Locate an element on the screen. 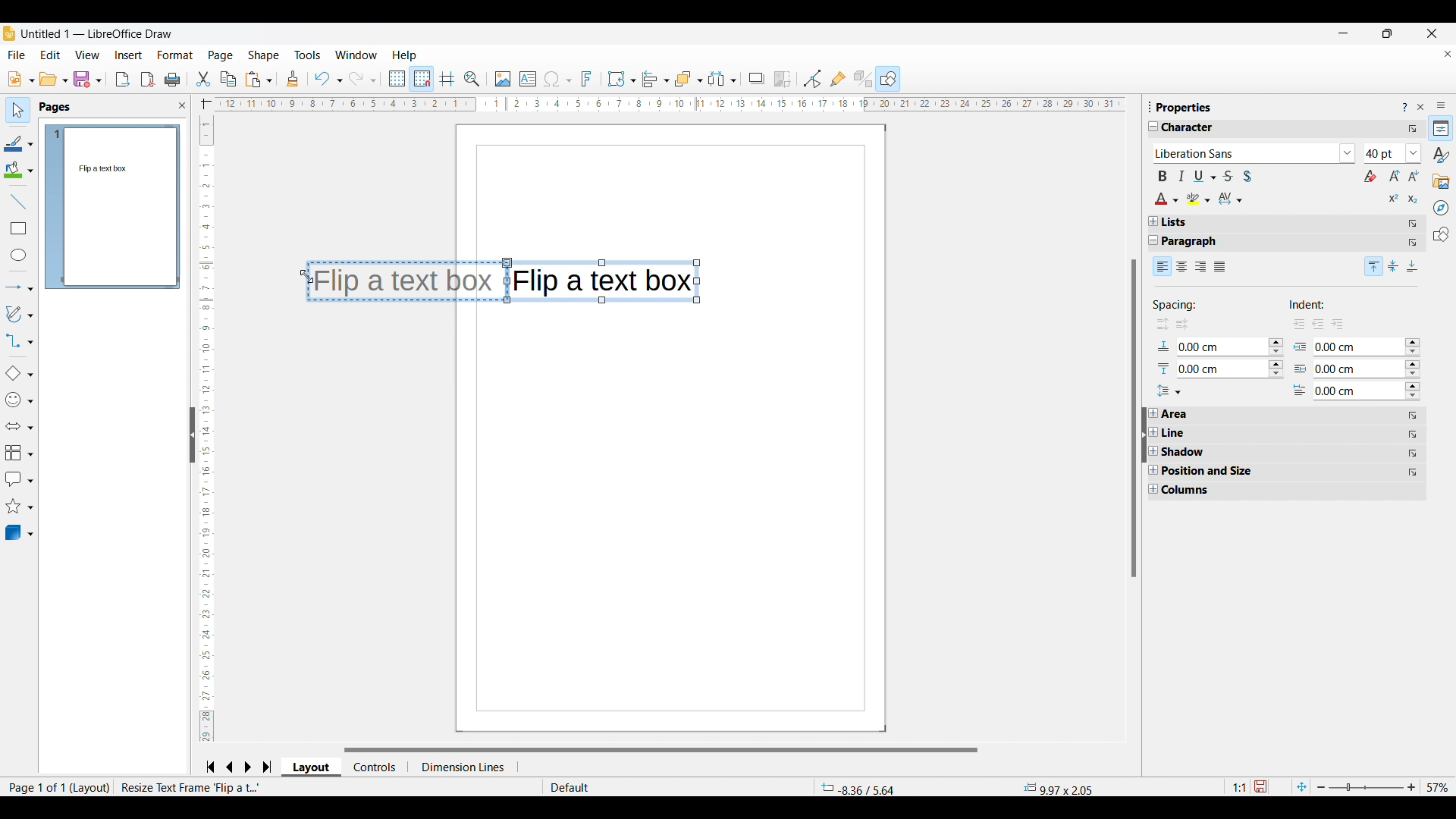 The width and height of the screenshot is (1456, 819). Star and banner options is located at coordinates (19, 507).